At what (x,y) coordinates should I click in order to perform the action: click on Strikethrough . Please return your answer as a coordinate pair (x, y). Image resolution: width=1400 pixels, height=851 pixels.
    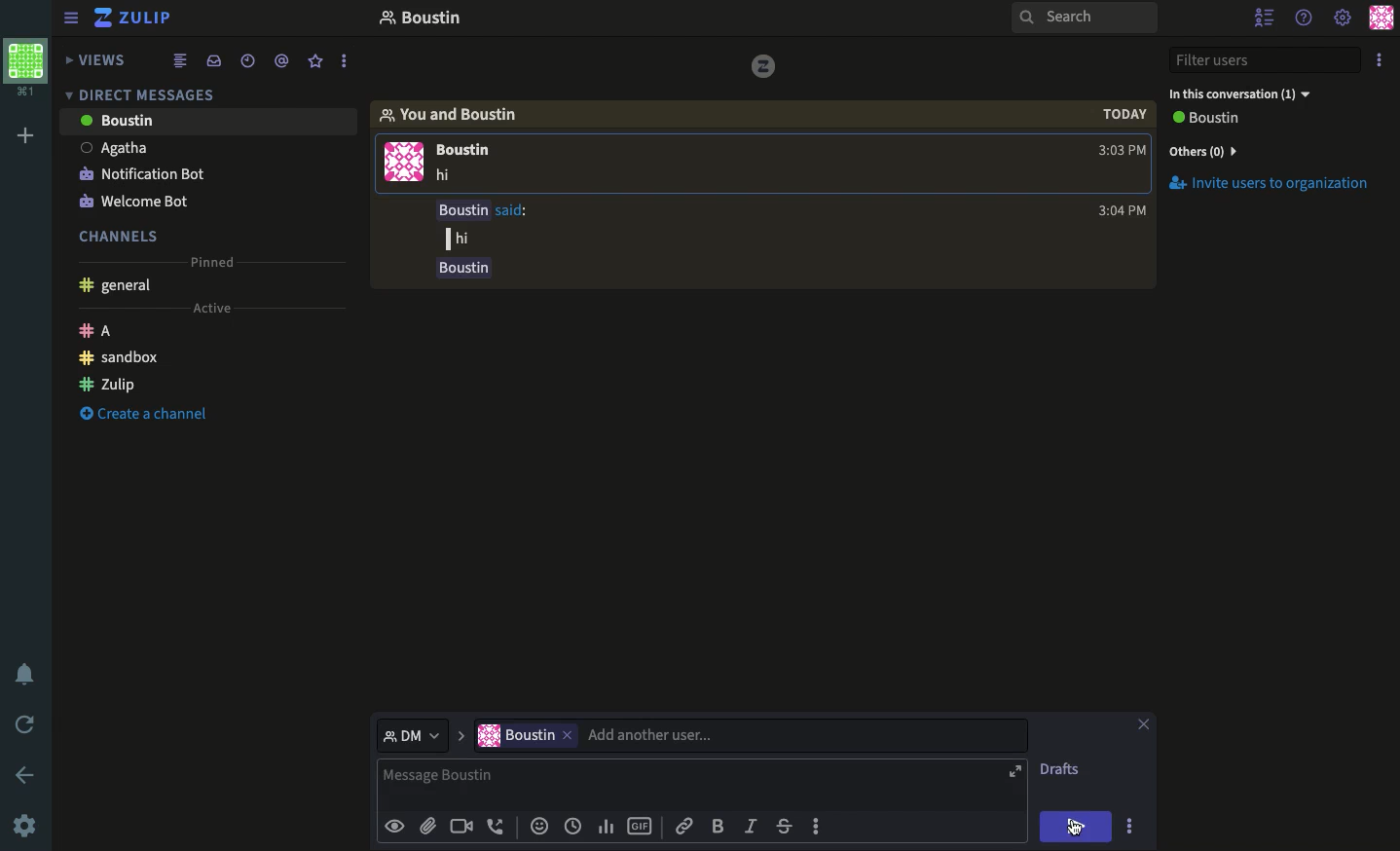
    Looking at the image, I should click on (787, 828).